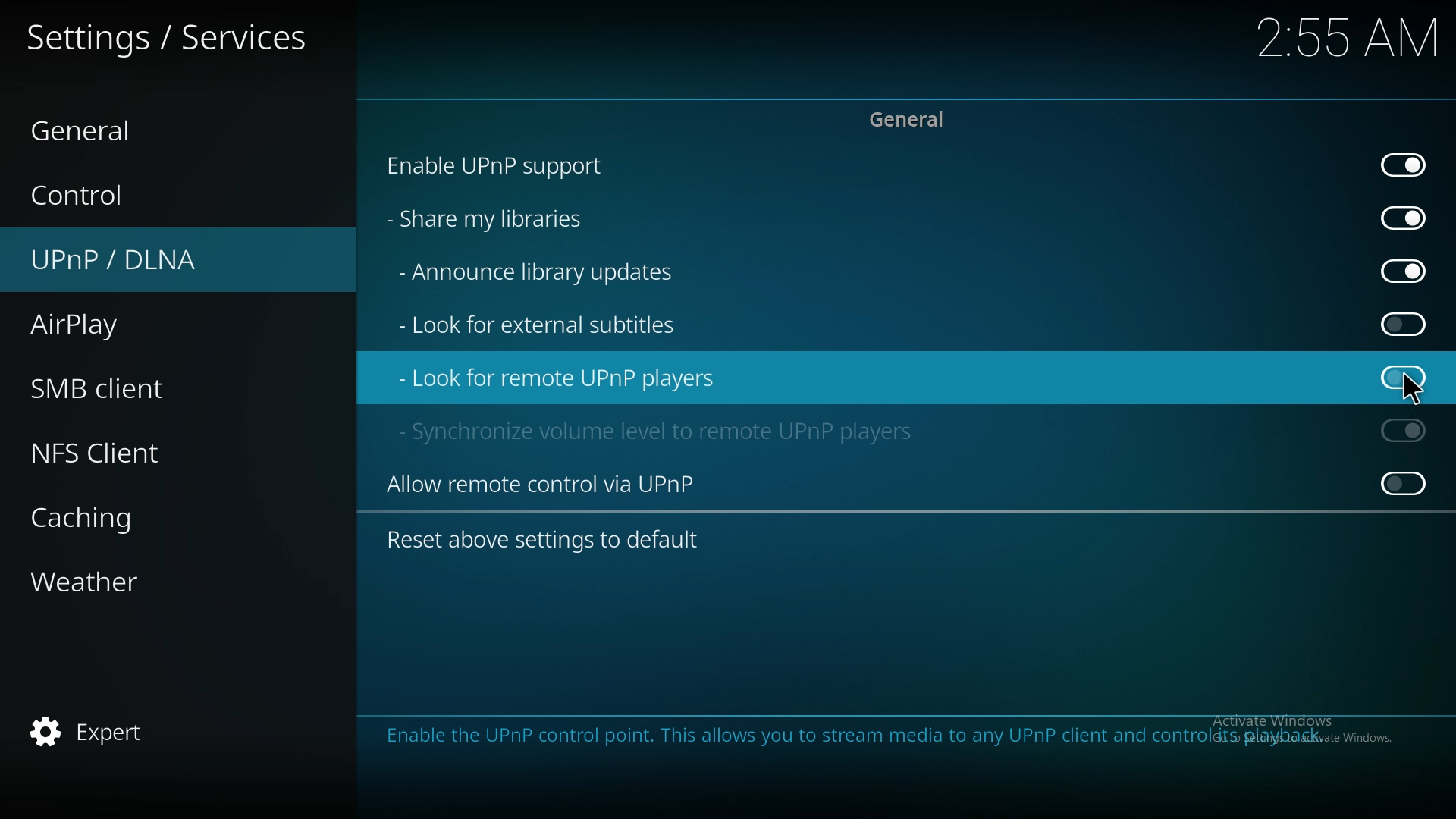 Image resolution: width=1456 pixels, height=819 pixels. What do you see at coordinates (543, 271) in the screenshot?
I see `announce library updates` at bounding box center [543, 271].